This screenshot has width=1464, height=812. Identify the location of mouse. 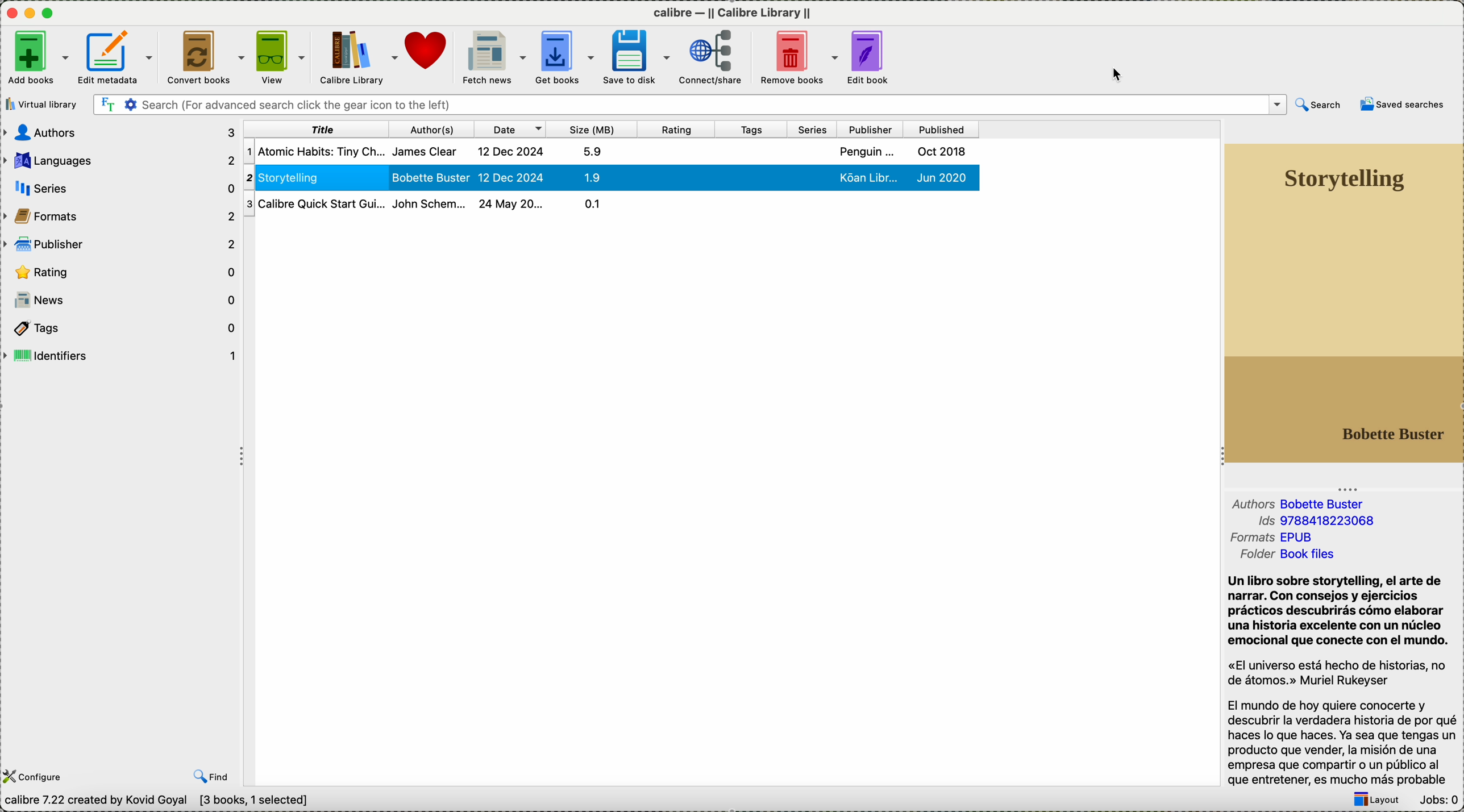
(1113, 74).